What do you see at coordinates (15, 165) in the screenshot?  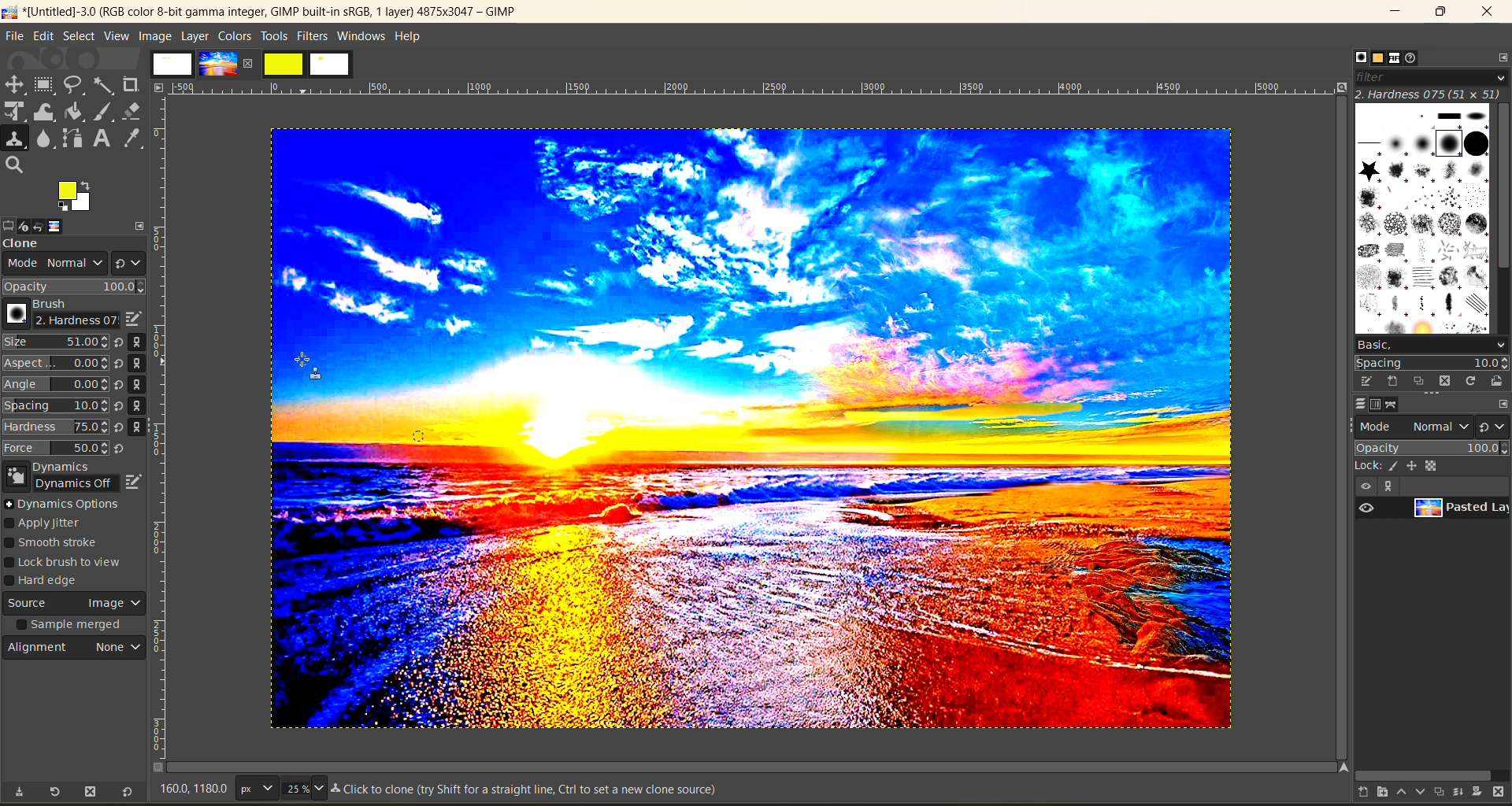 I see `Search` at bounding box center [15, 165].